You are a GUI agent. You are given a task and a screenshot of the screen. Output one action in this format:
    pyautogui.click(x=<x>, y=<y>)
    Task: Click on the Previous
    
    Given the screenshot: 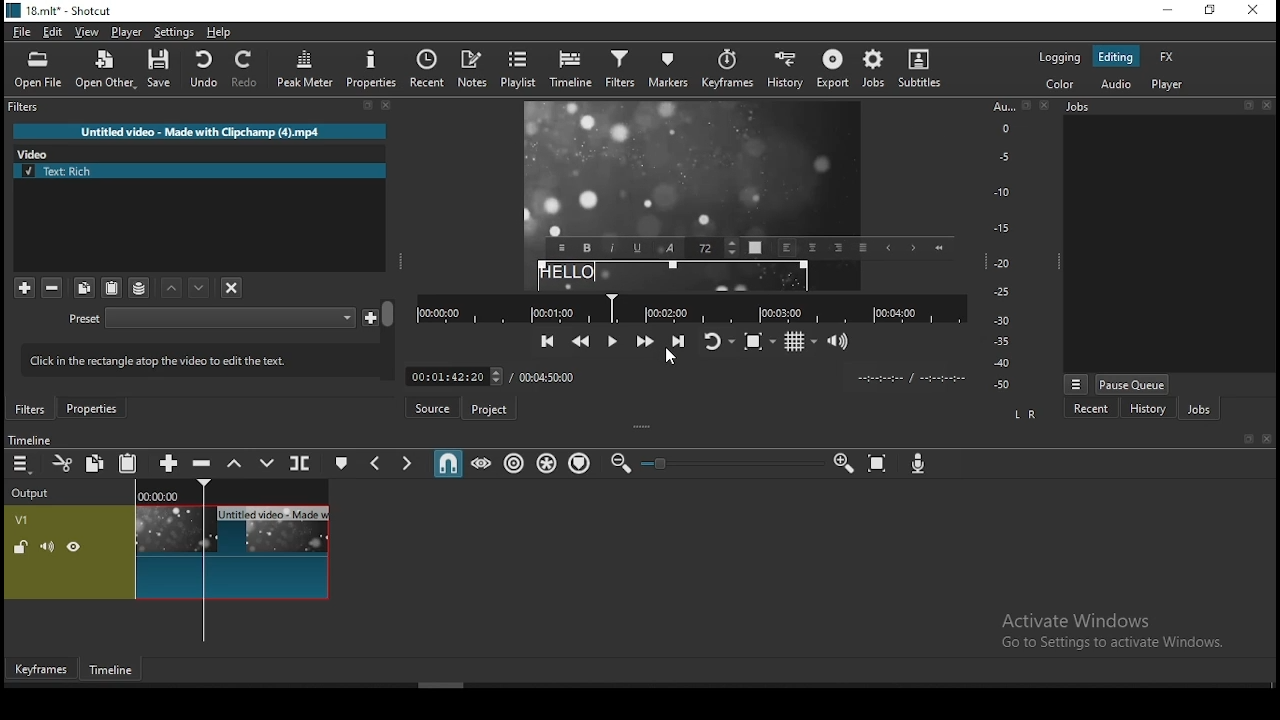 What is the action you would take?
    pyautogui.click(x=888, y=248)
    